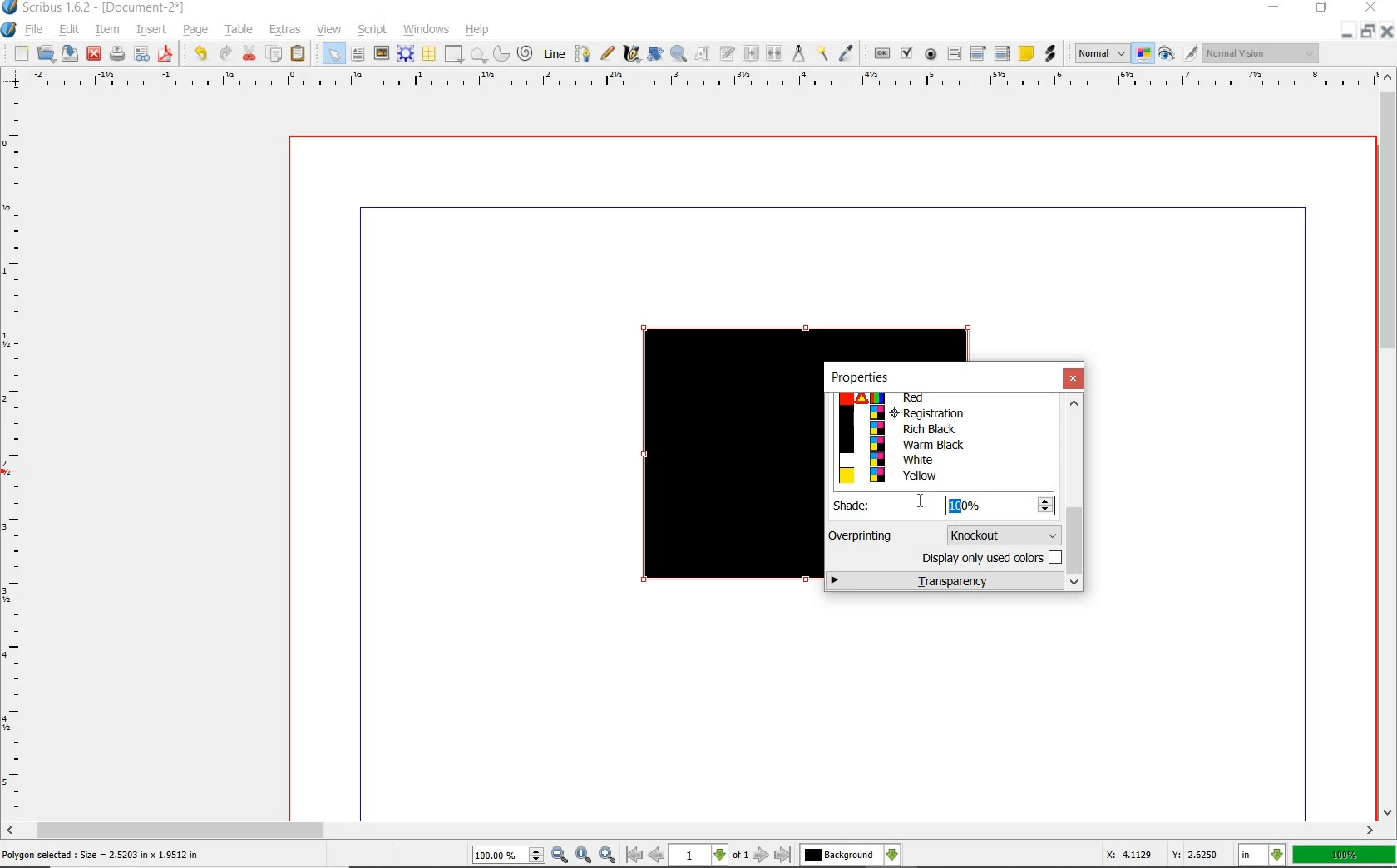  What do you see at coordinates (225, 54) in the screenshot?
I see `redo` at bounding box center [225, 54].